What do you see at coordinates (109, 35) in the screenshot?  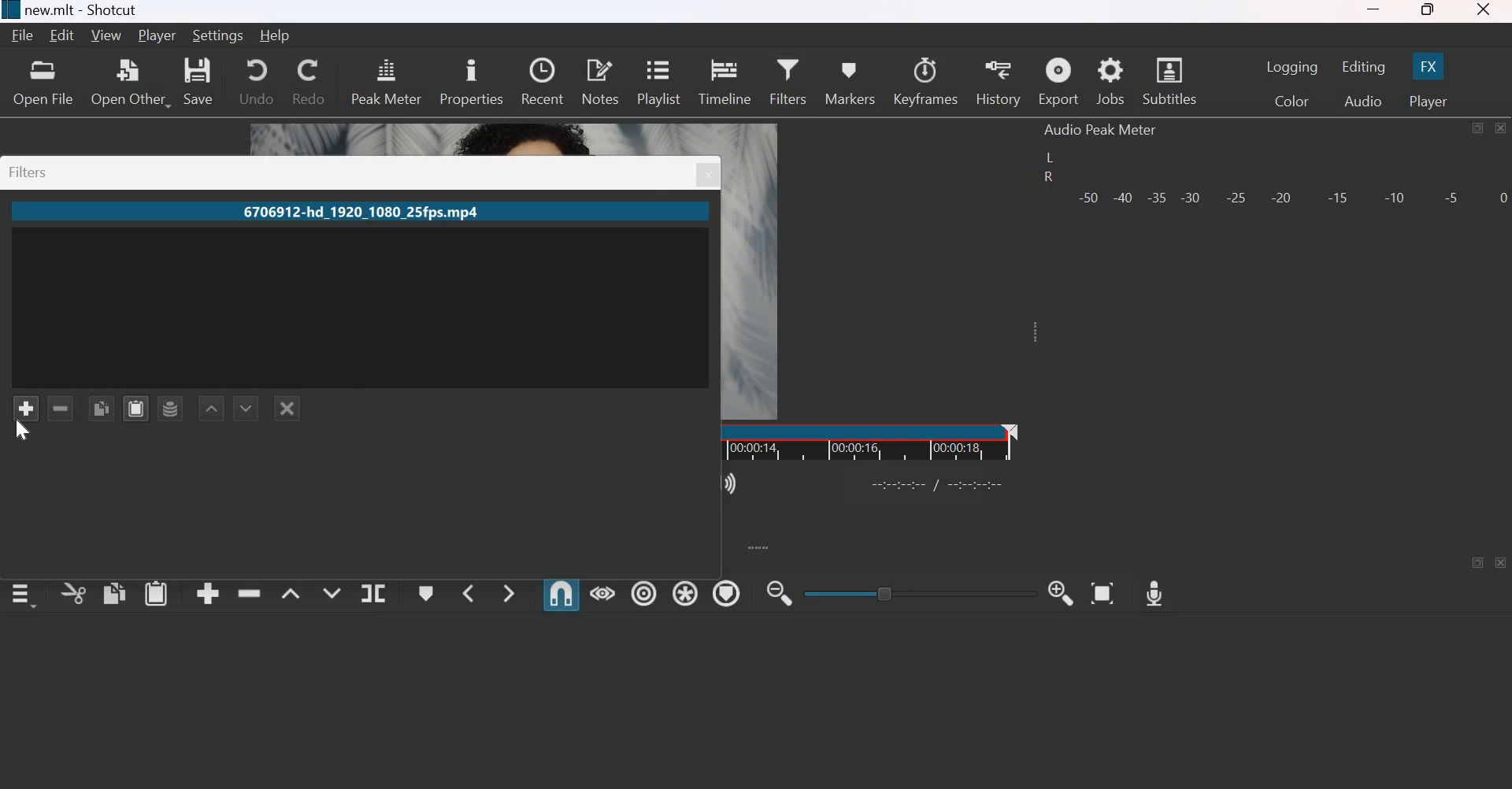 I see `View` at bounding box center [109, 35].